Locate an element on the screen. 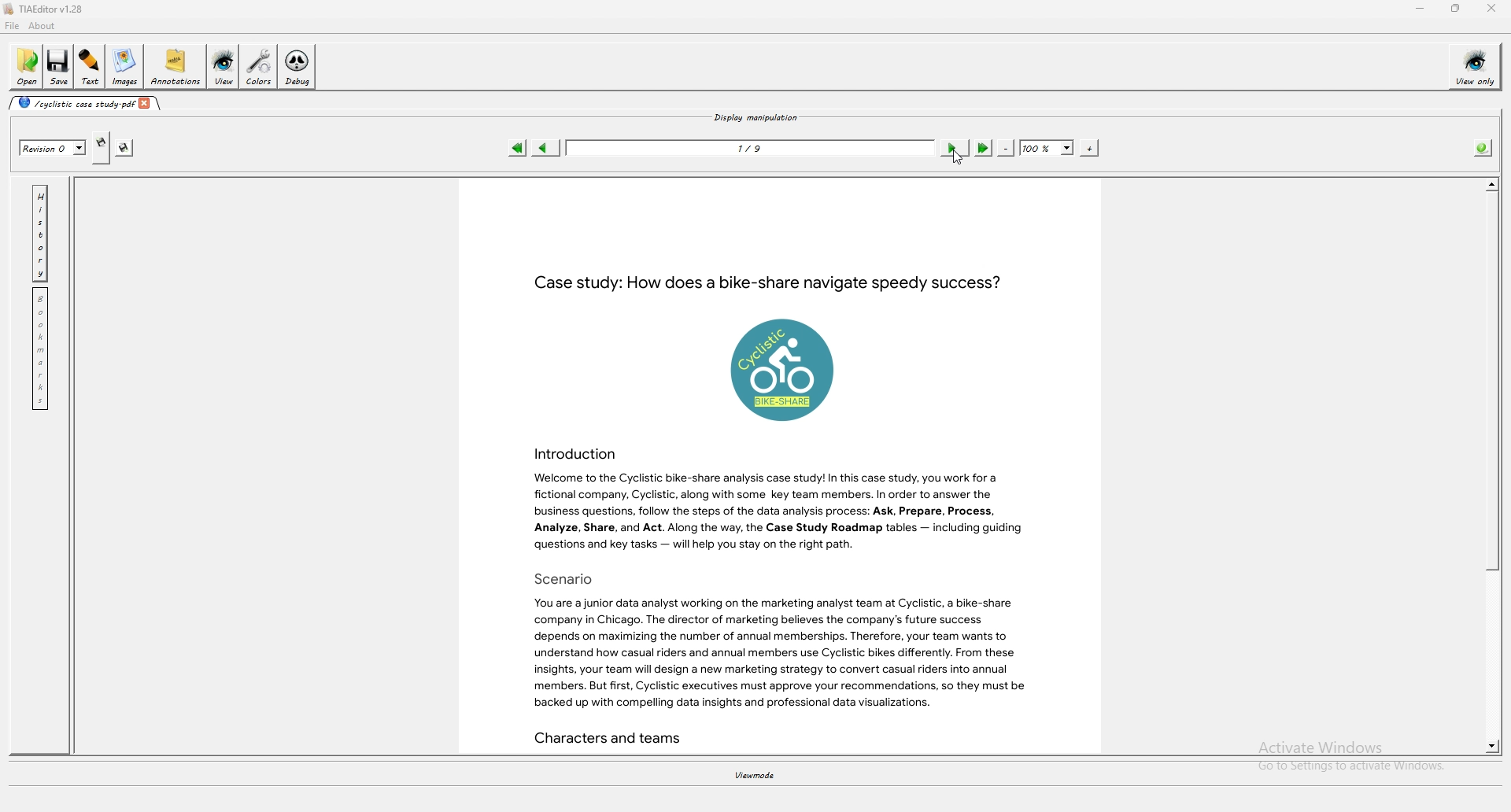  cursor is located at coordinates (957, 160).